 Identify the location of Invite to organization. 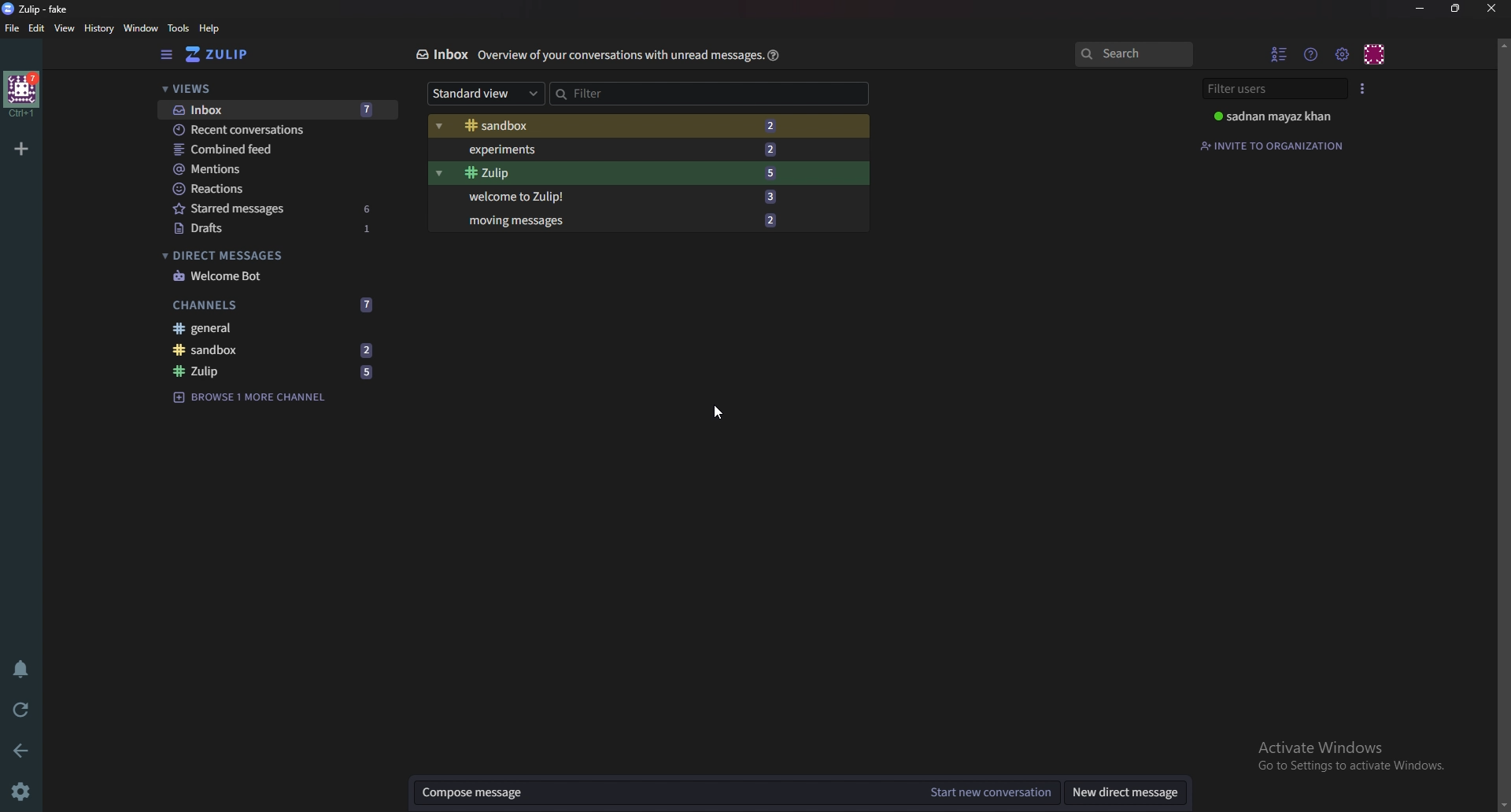
(1279, 146).